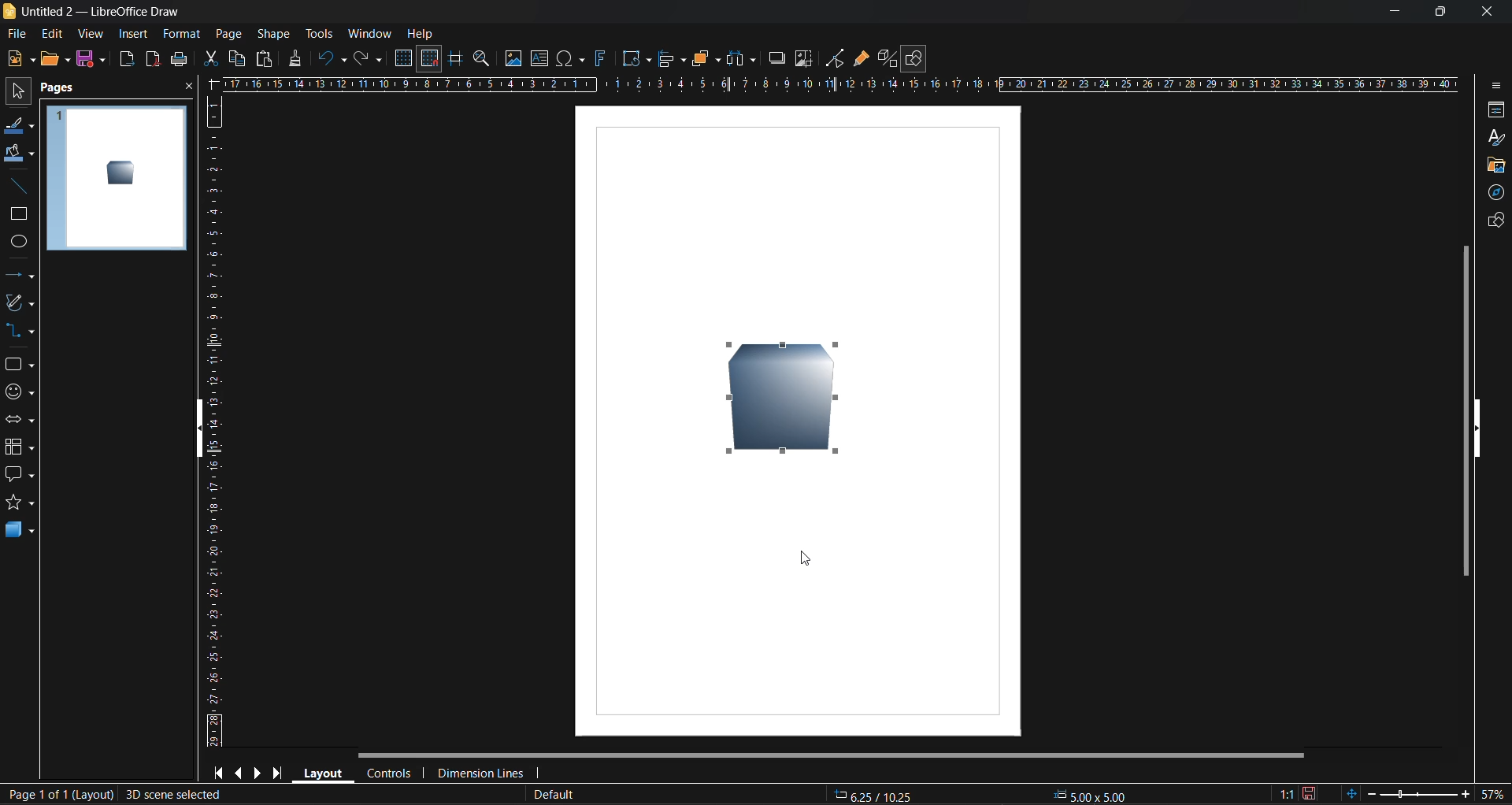 The image size is (1512, 805). I want to click on transformations, so click(638, 59).